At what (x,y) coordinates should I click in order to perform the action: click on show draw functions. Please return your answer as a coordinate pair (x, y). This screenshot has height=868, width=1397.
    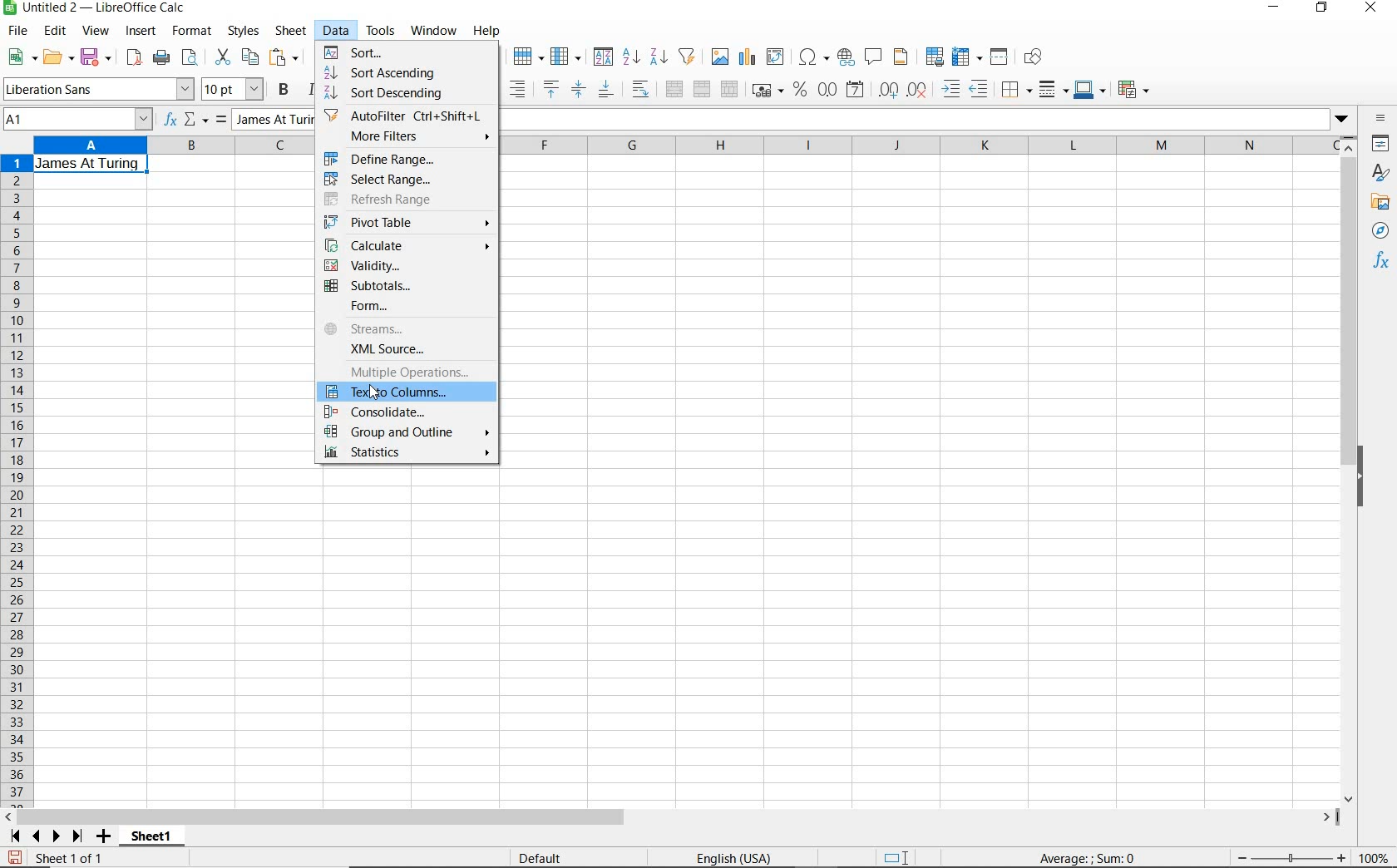
    Looking at the image, I should click on (1038, 59).